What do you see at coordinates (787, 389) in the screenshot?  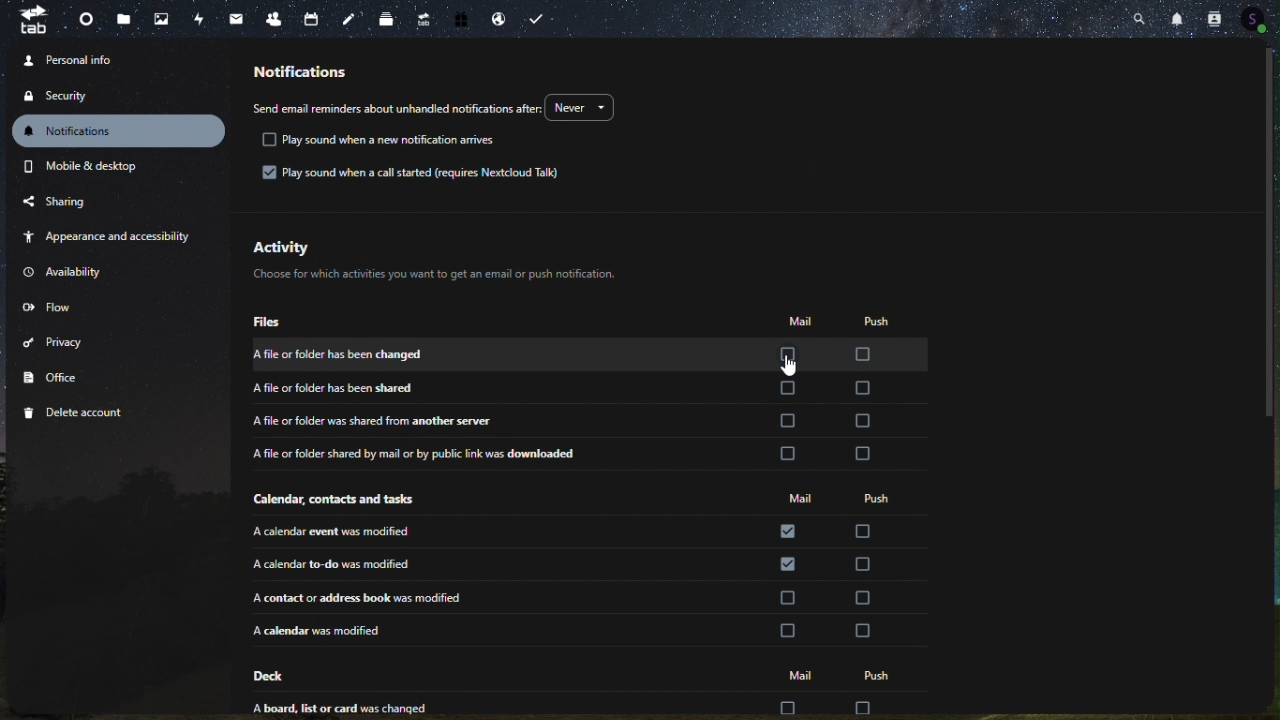 I see `check box` at bounding box center [787, 389].